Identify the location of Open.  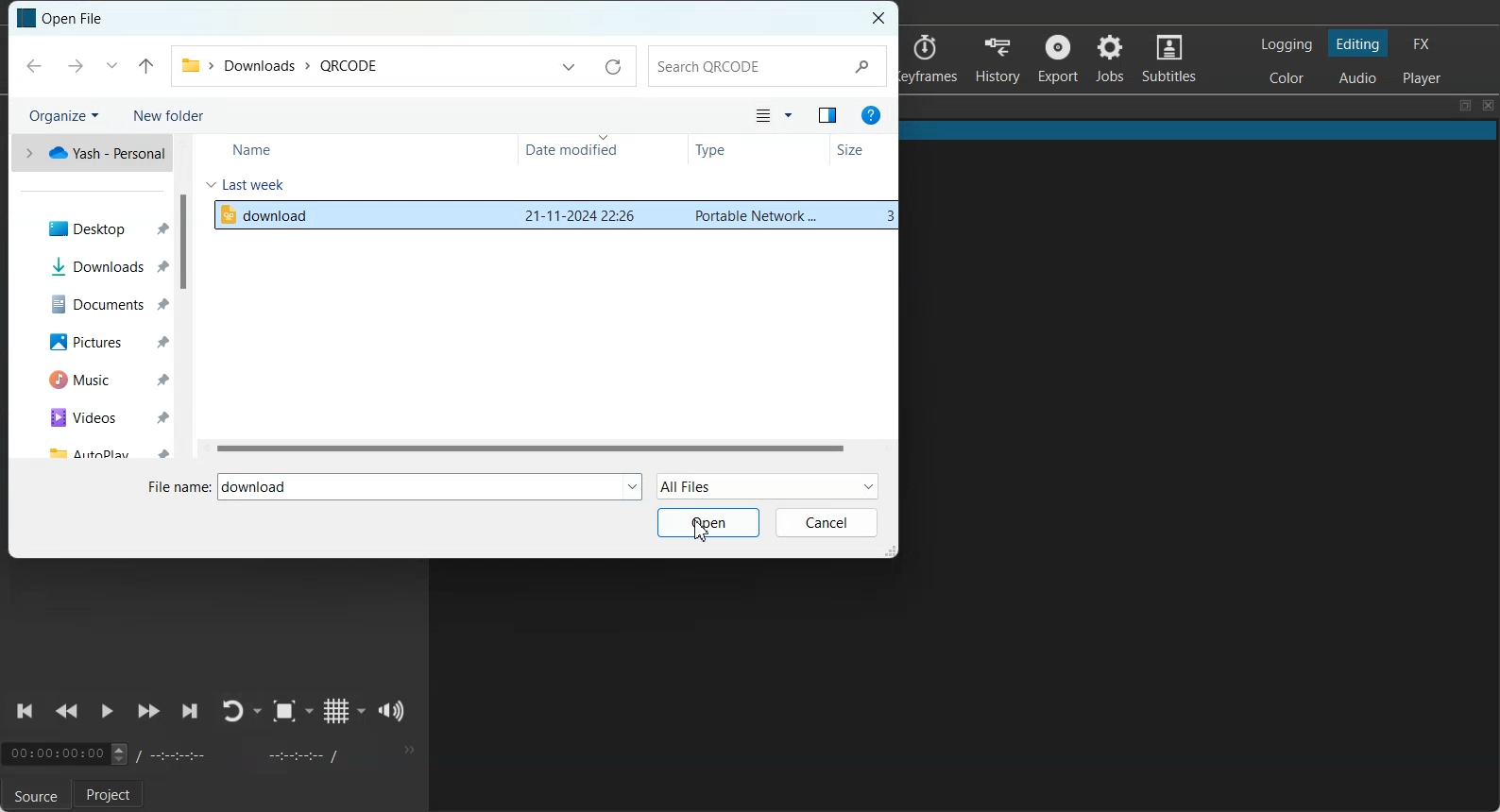
(710, 522).